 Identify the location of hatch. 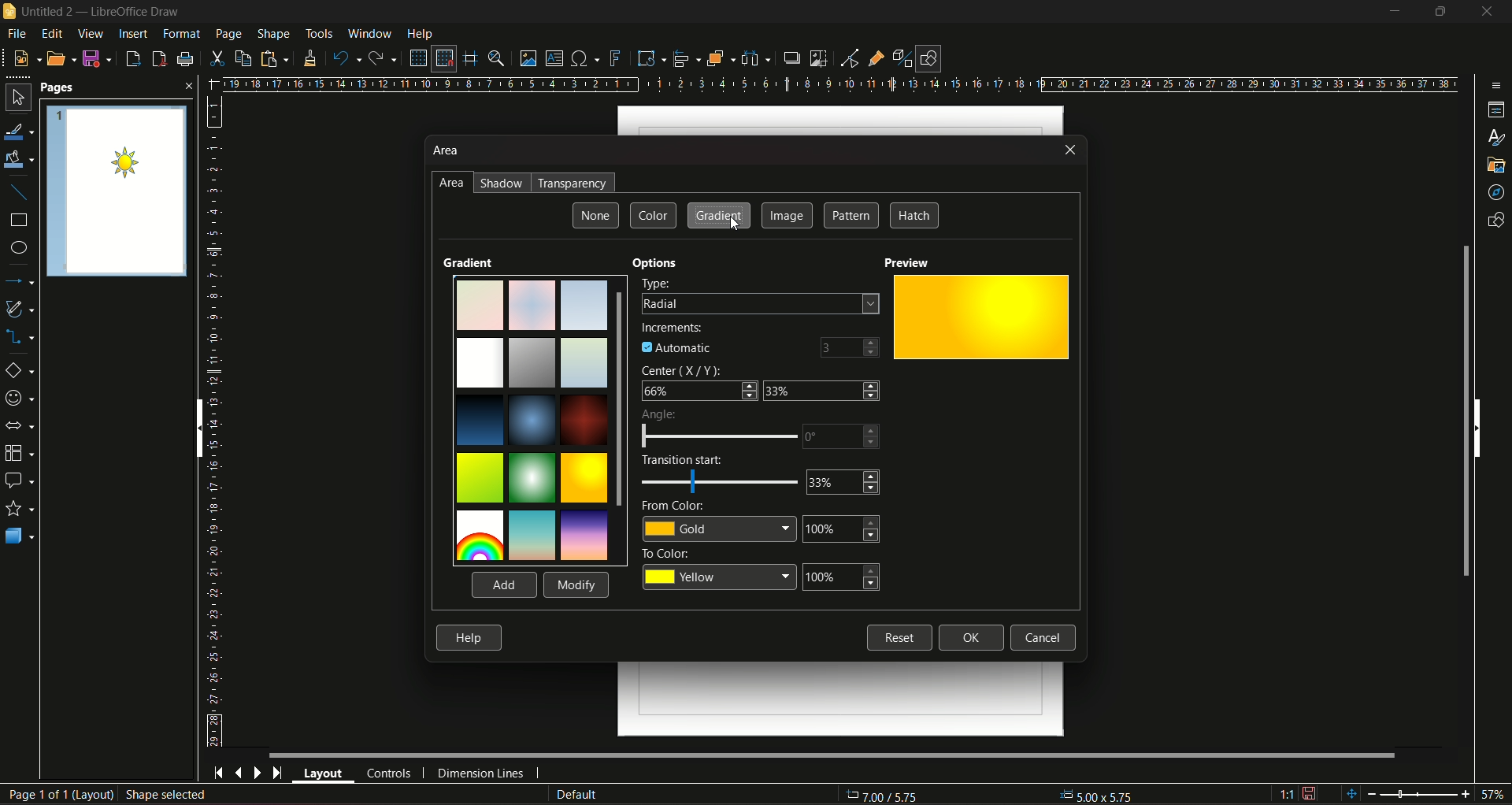
(916, 215).